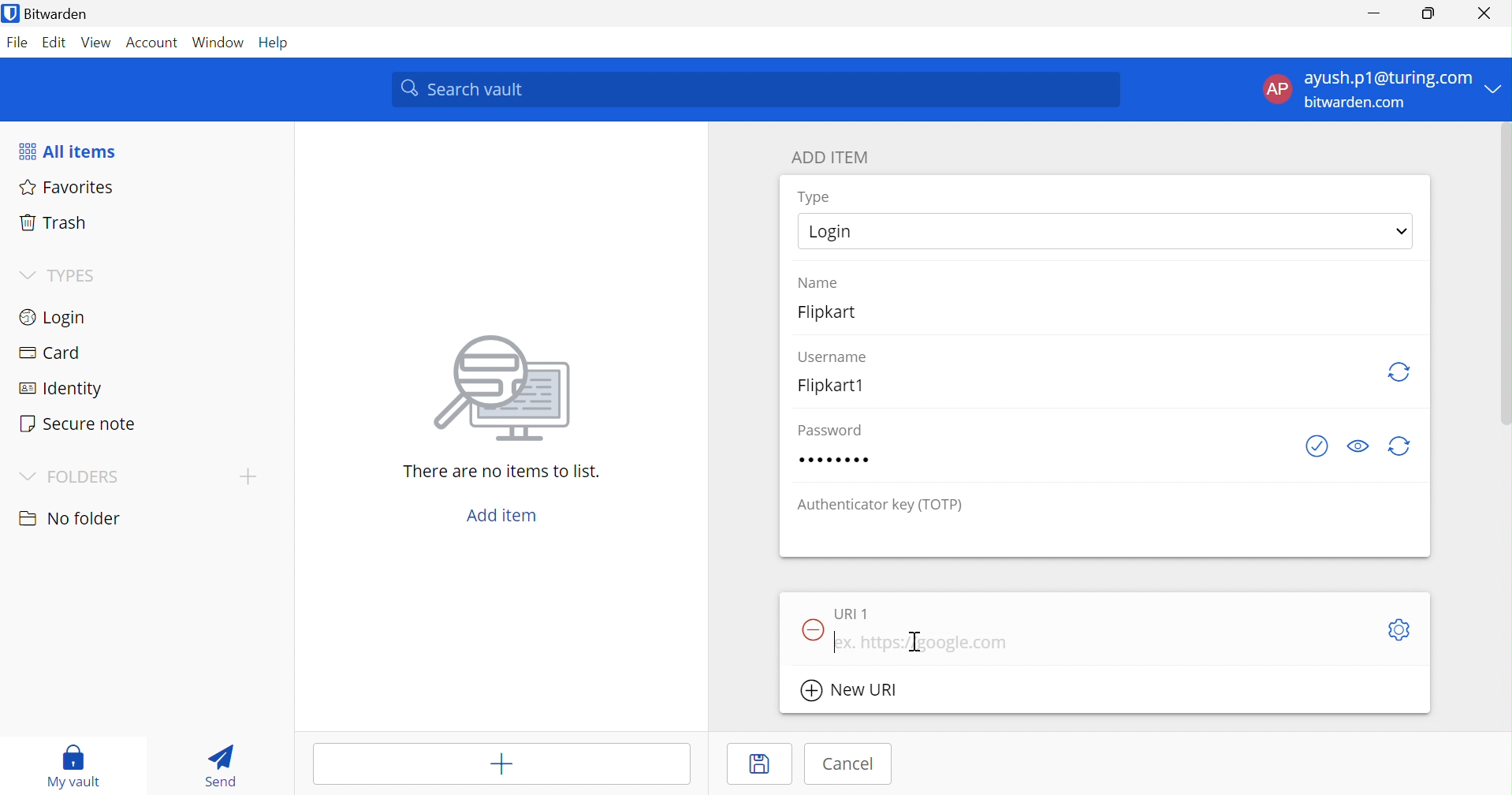  What do you see at coordinates (821, 281) in the screenshot?
I see `Name` at bounding box center [821, 281].